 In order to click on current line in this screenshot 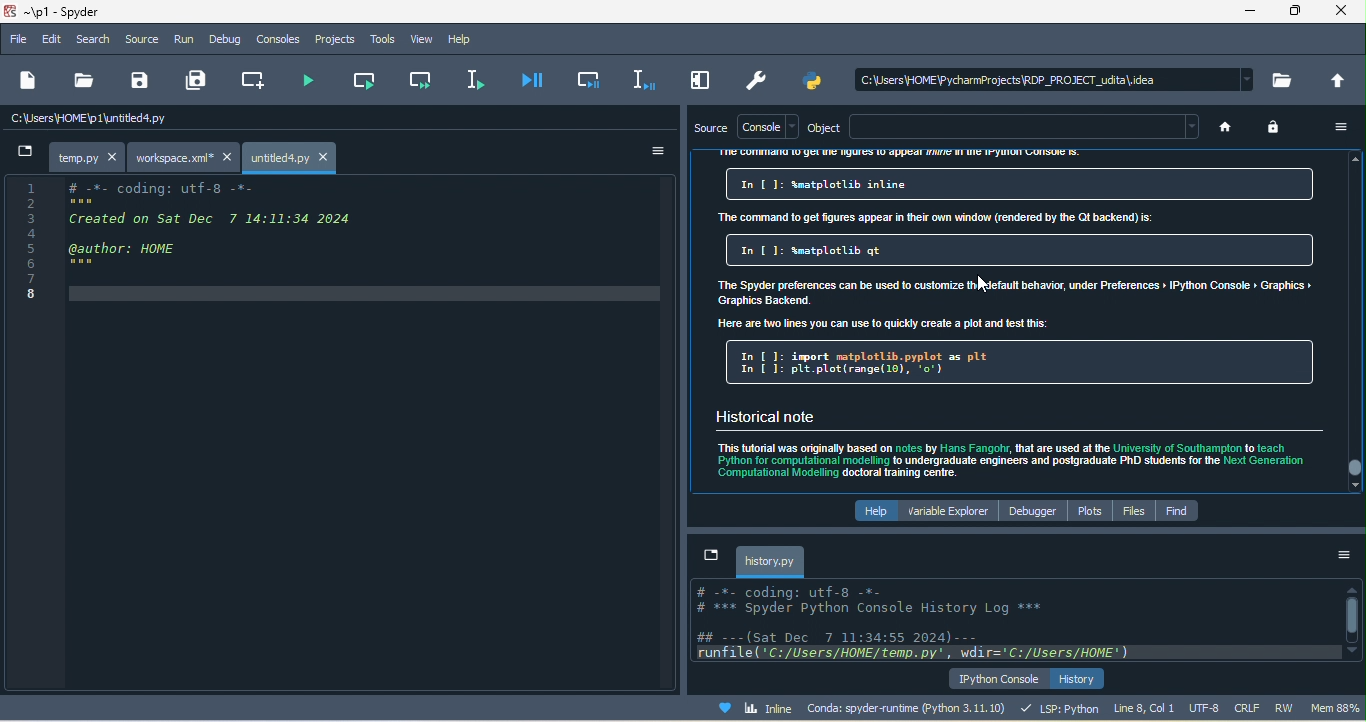, I will do `click(482, 77)`.